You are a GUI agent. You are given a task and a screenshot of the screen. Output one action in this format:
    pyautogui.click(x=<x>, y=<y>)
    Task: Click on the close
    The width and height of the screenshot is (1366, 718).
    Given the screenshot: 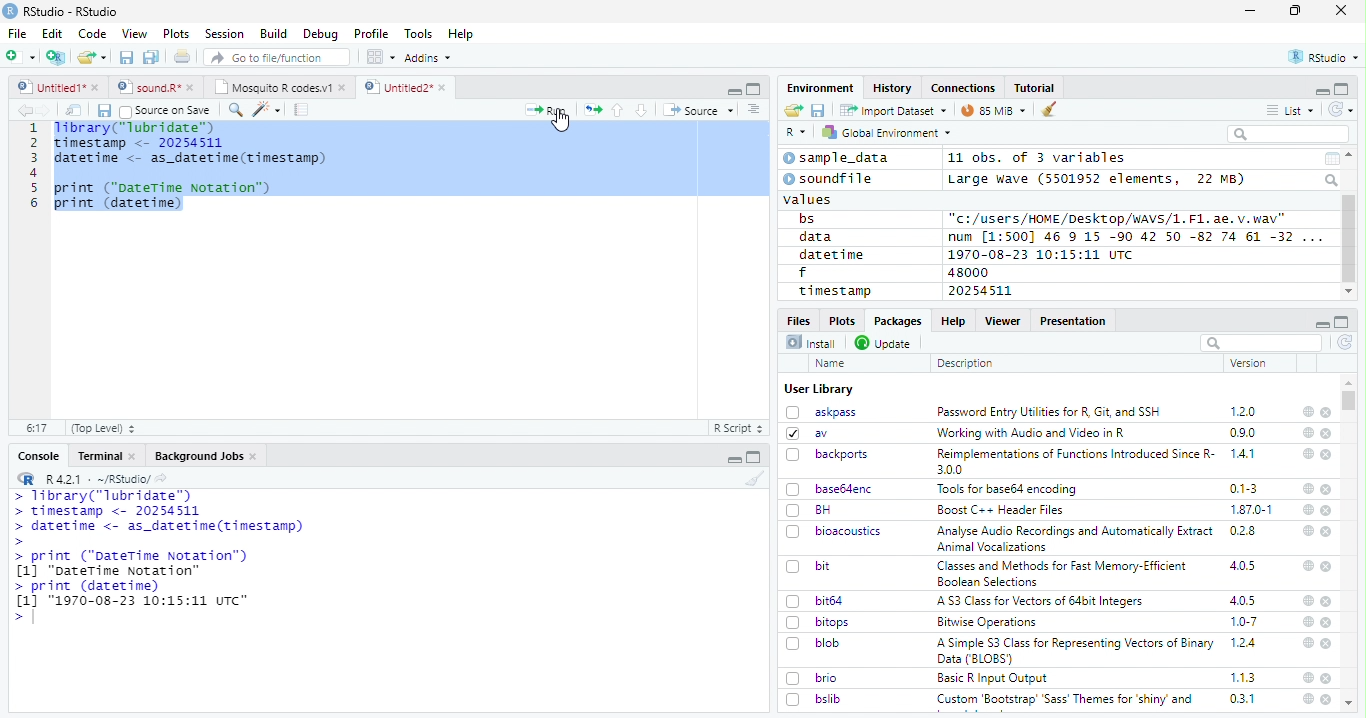 What is the action you would take?
    pyautogui.click(x=1326, y=413)
    